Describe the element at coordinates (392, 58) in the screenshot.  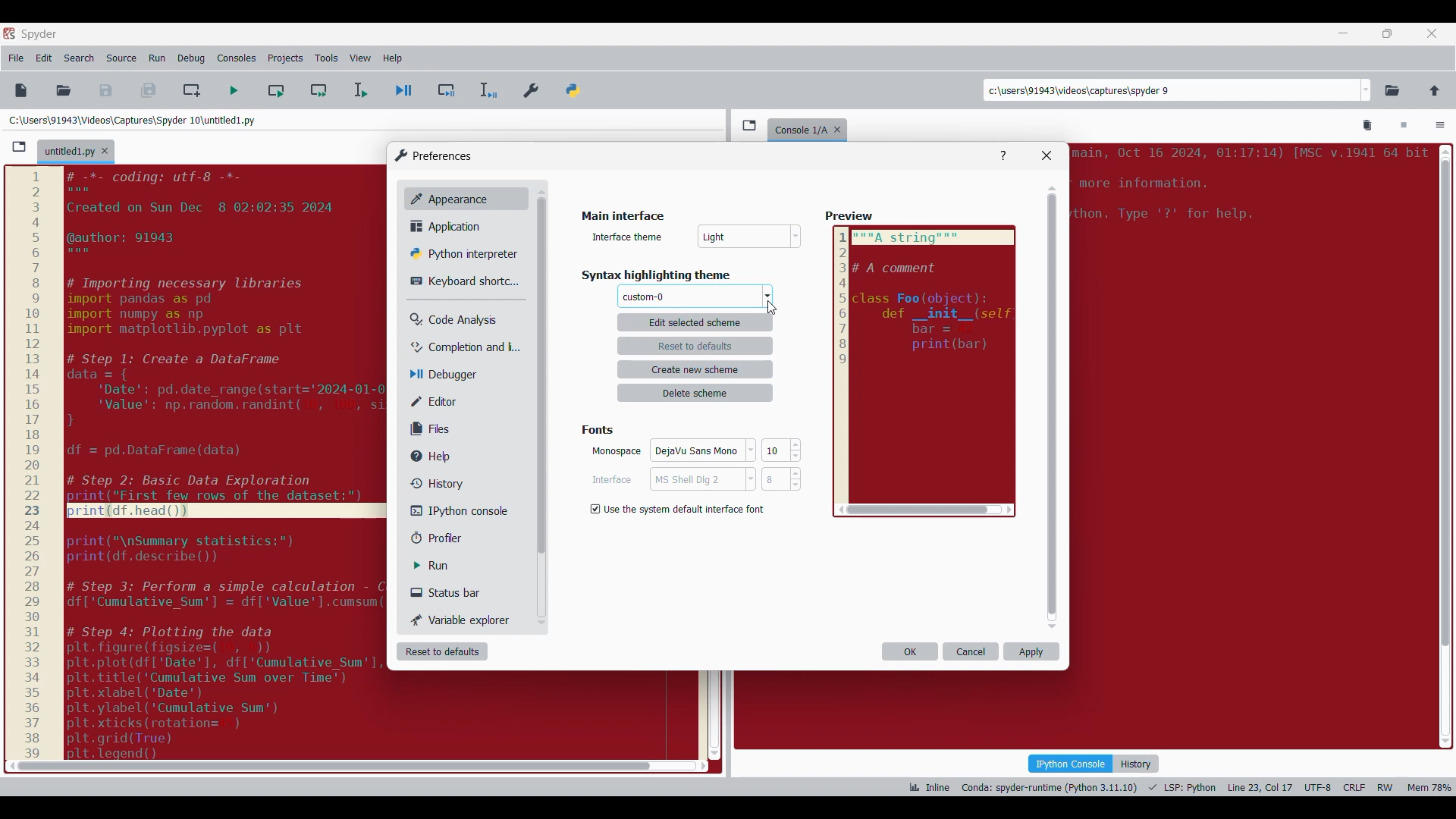
I see `Help menu` at that location.